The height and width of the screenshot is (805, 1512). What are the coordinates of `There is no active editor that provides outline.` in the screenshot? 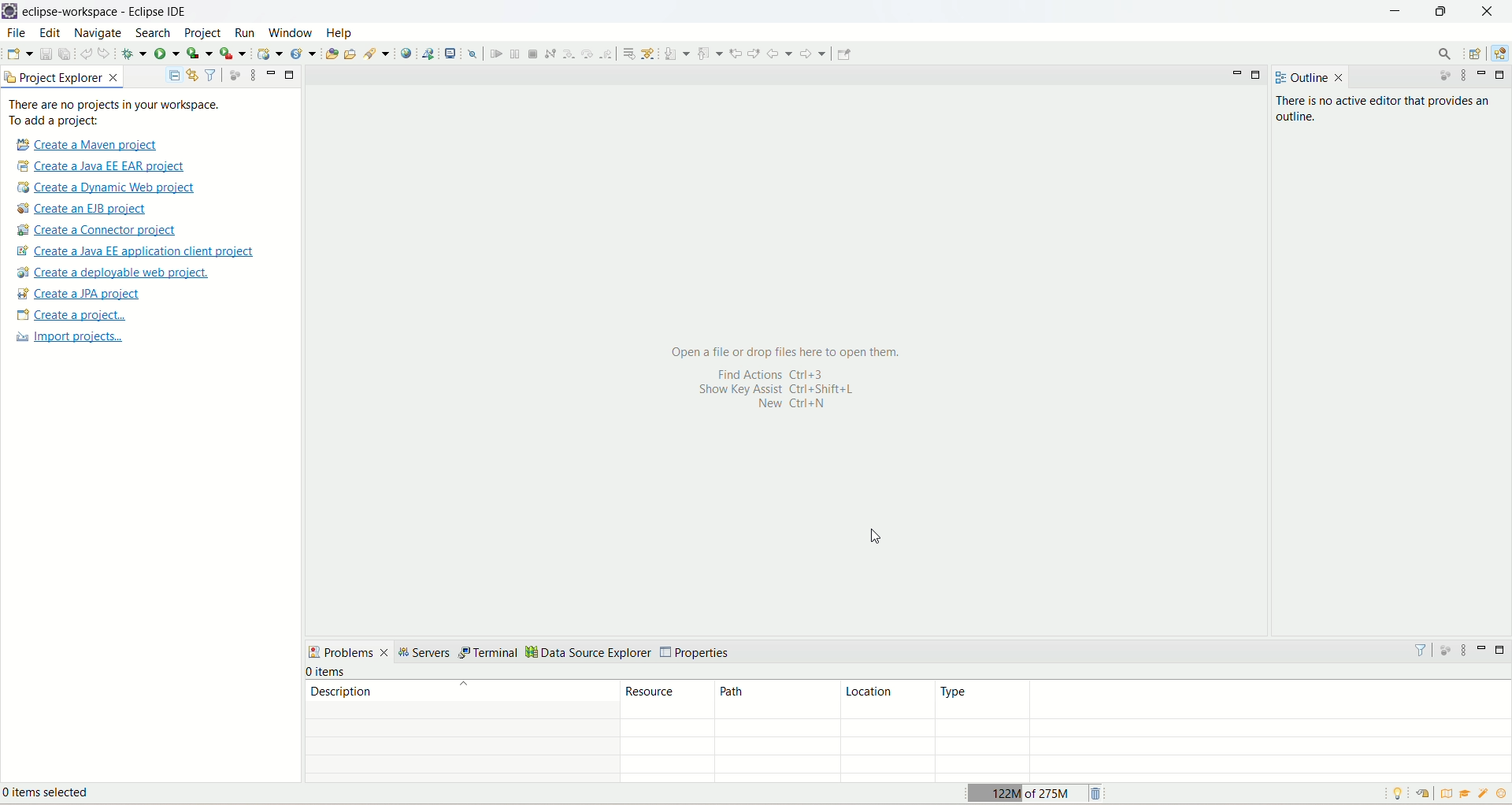 It's located at (1388, 110).